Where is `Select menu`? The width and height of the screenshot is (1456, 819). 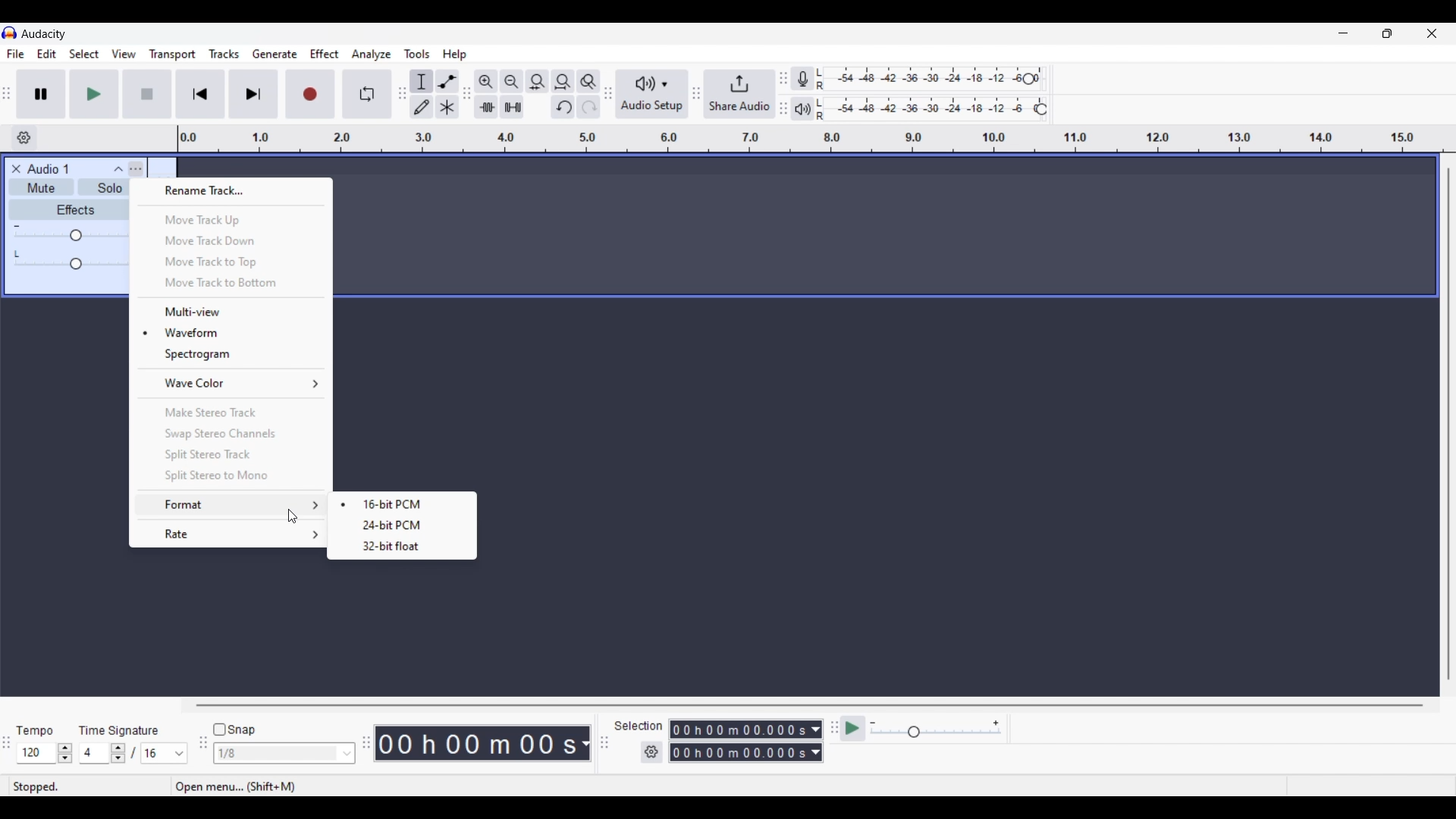 Select menu is located at coordinates (84, 55).